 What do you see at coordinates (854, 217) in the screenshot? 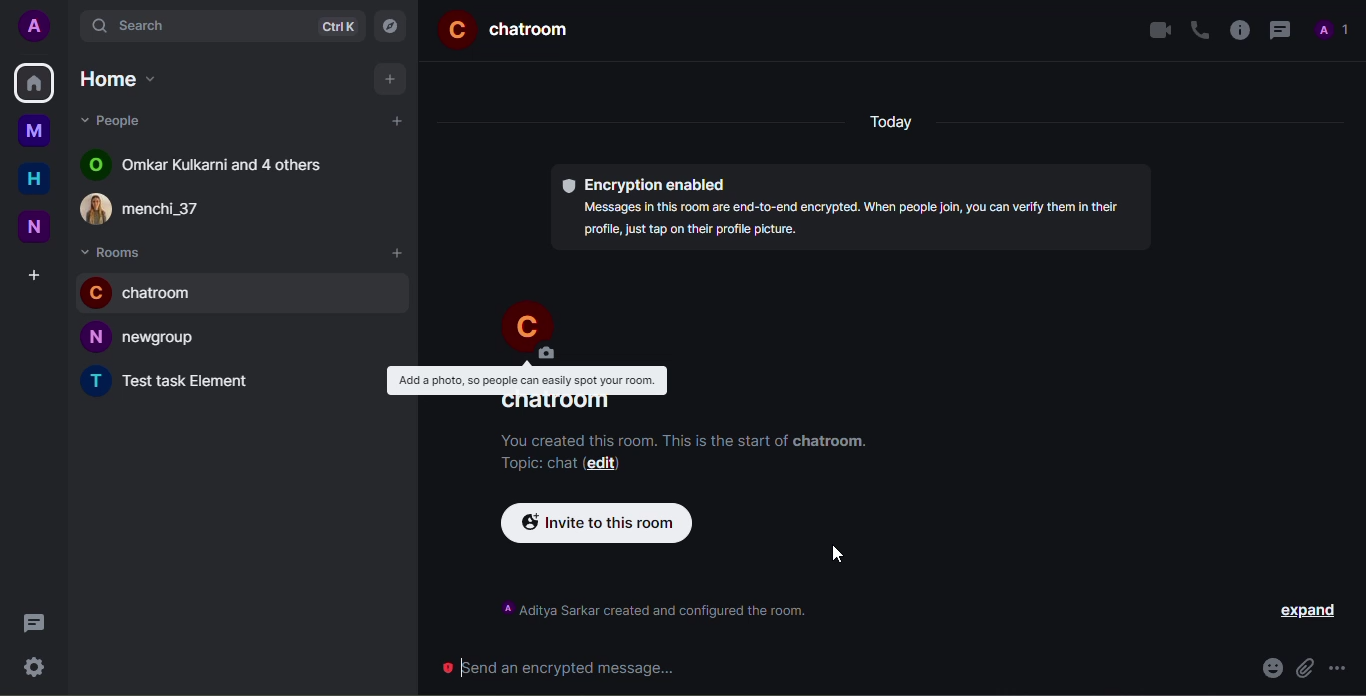
I see `Messages in this room are end-to-end encrypted. When people Join, you can verify them in their
profile, just tap on their profile picture.` at bounding box center [854, 217].